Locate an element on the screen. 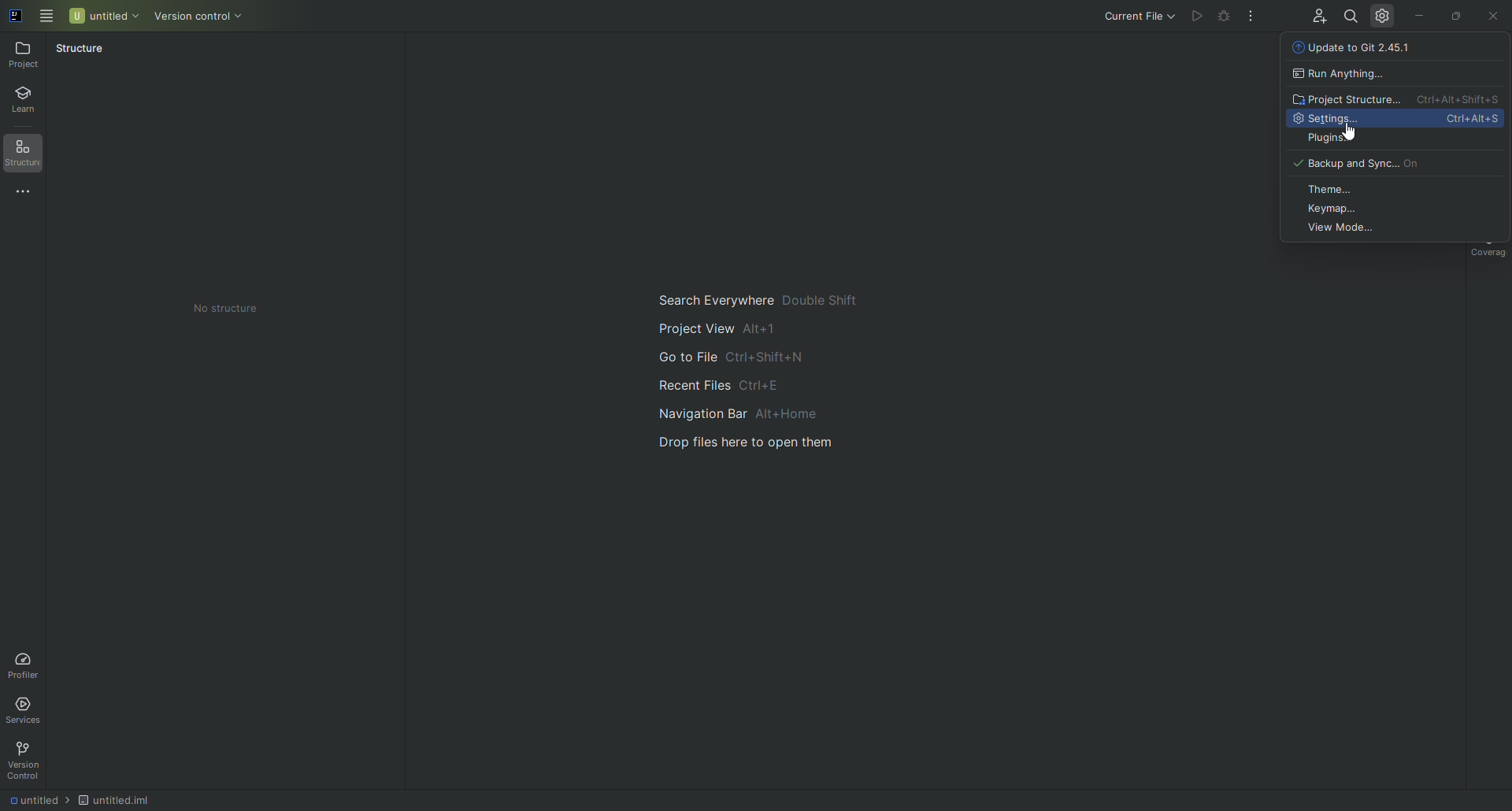 The image size is (1512, 811). Close is located at coordinates (1493, 17).